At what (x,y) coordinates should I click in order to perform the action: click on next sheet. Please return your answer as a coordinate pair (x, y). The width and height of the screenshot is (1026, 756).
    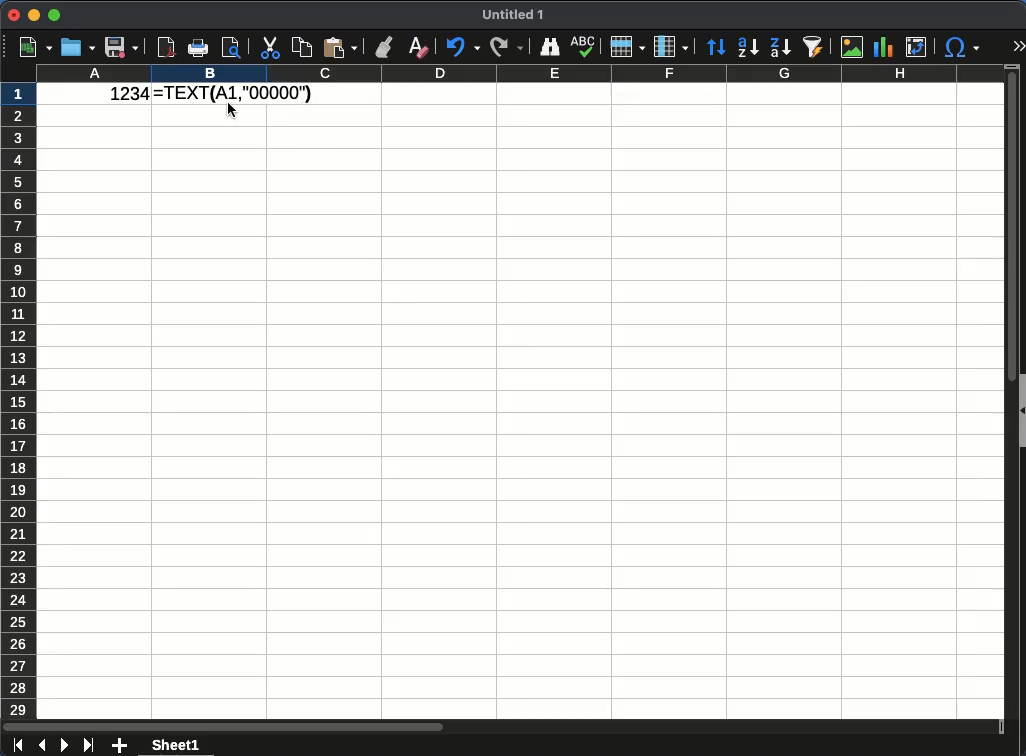
    Looking at the image, I should click on (63, 746).